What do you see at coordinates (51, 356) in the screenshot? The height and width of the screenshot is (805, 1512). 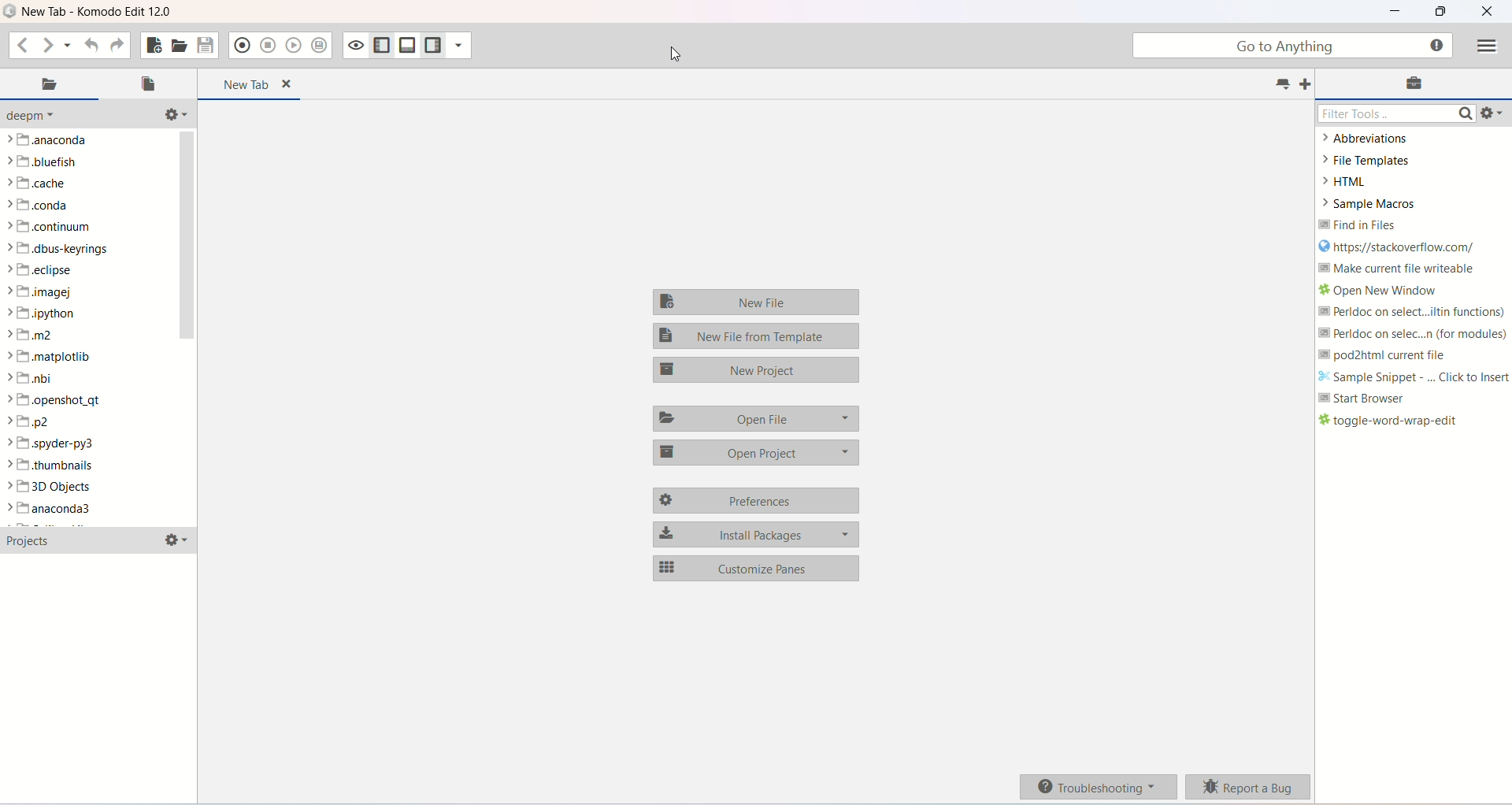 I see `matplotlib` at bounding box center [51, 356].